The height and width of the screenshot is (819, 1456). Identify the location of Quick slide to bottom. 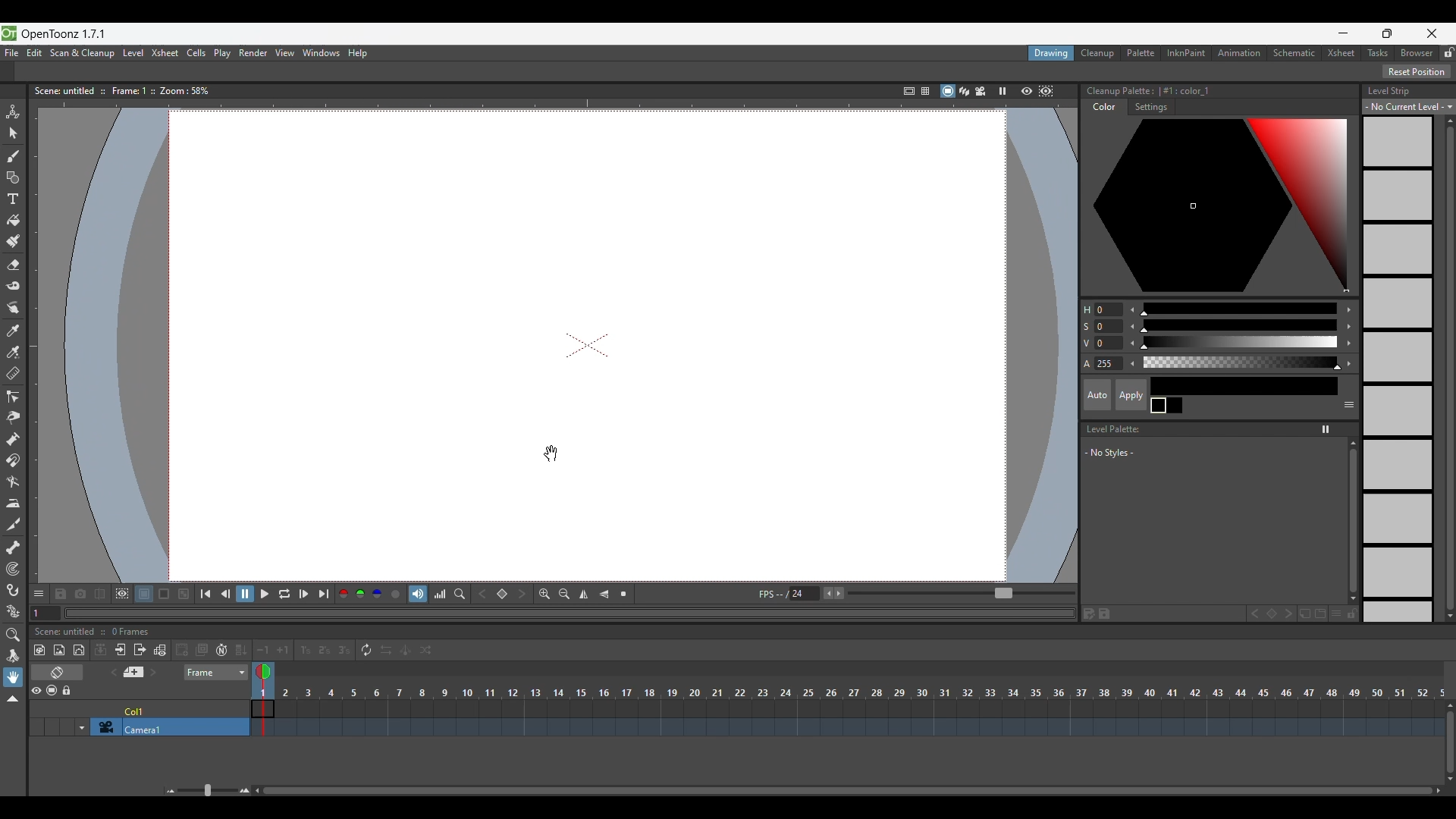
(1450, 617).